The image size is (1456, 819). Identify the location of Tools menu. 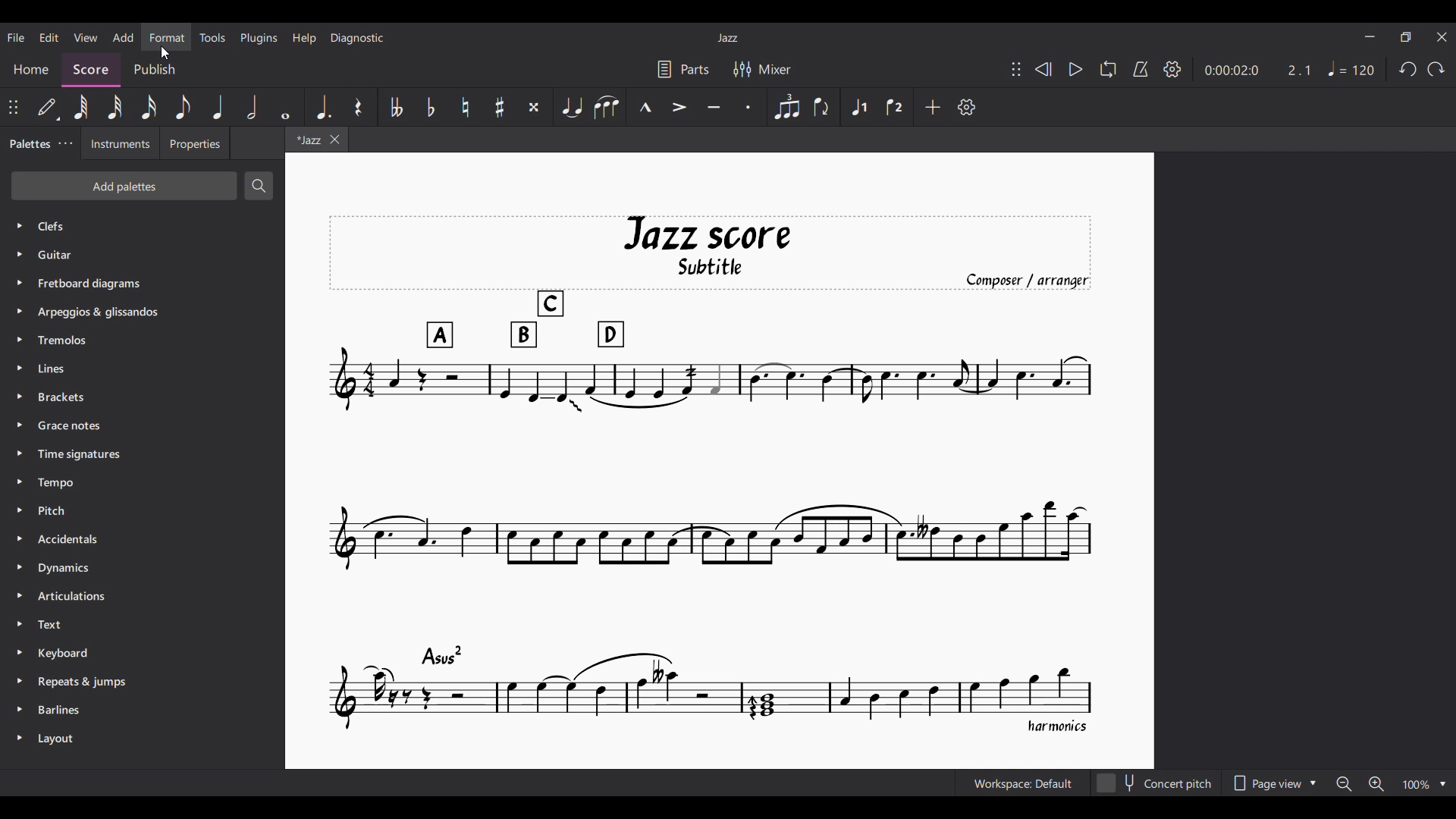
(212, 38).